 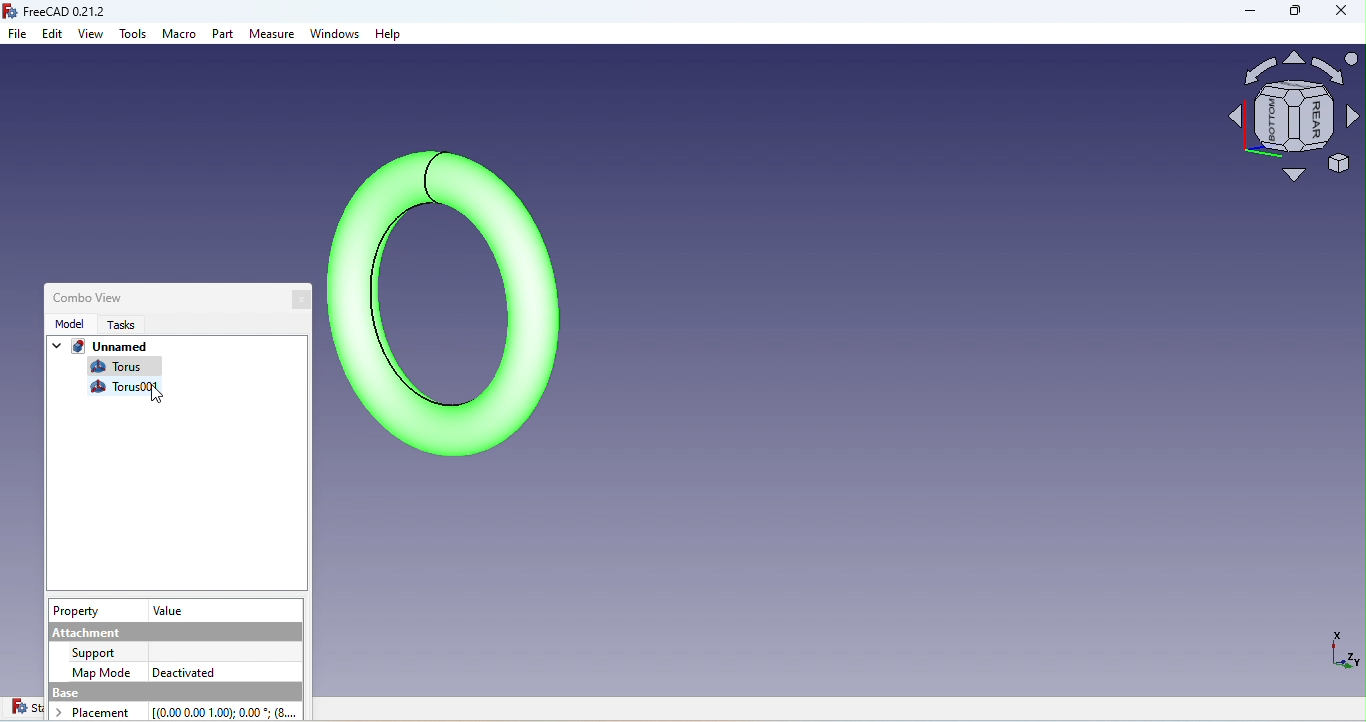 I want to click on Help, so click(x=388, y=35).